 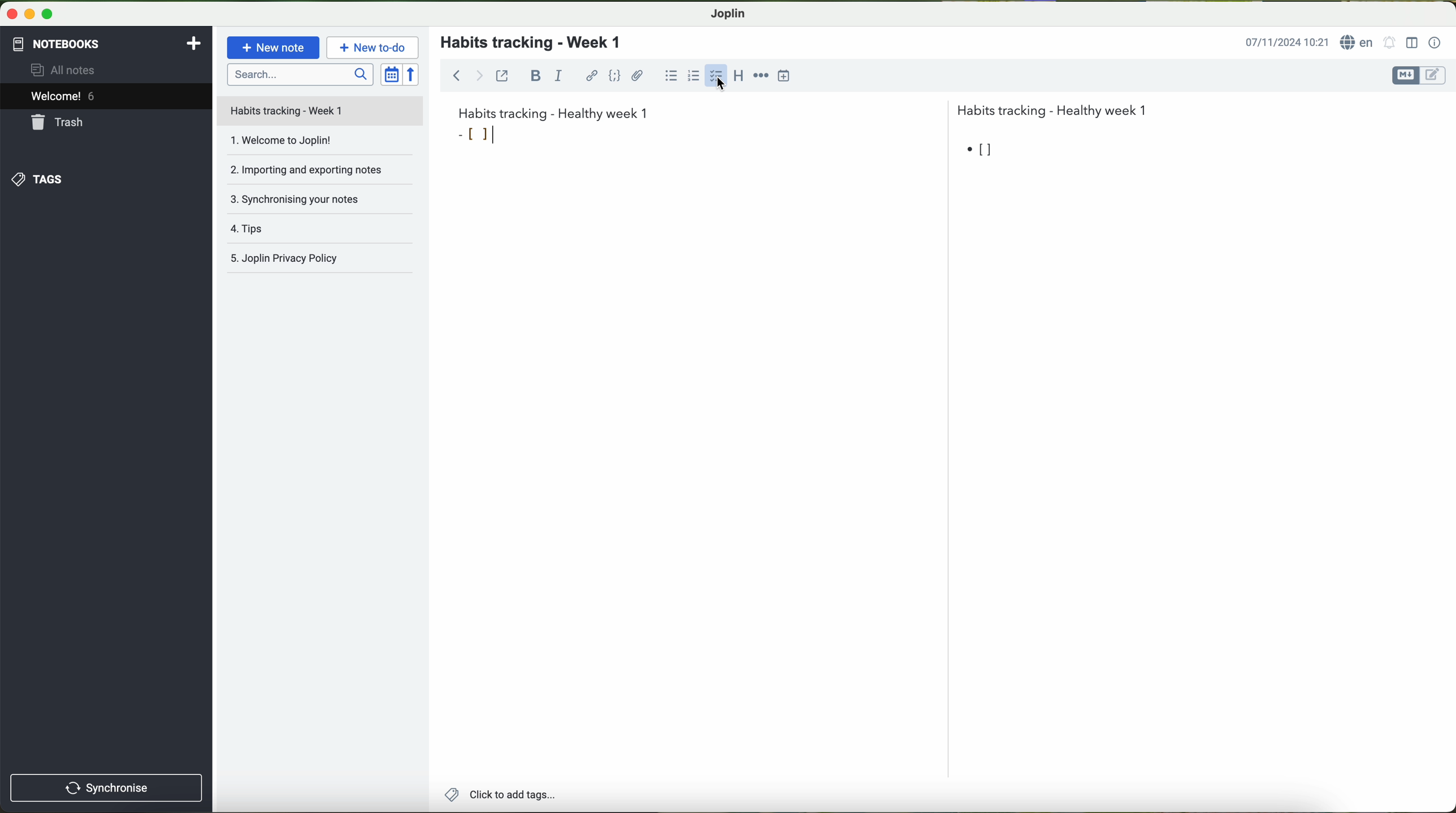 I want to click on forward, so click(x=479, y=75).